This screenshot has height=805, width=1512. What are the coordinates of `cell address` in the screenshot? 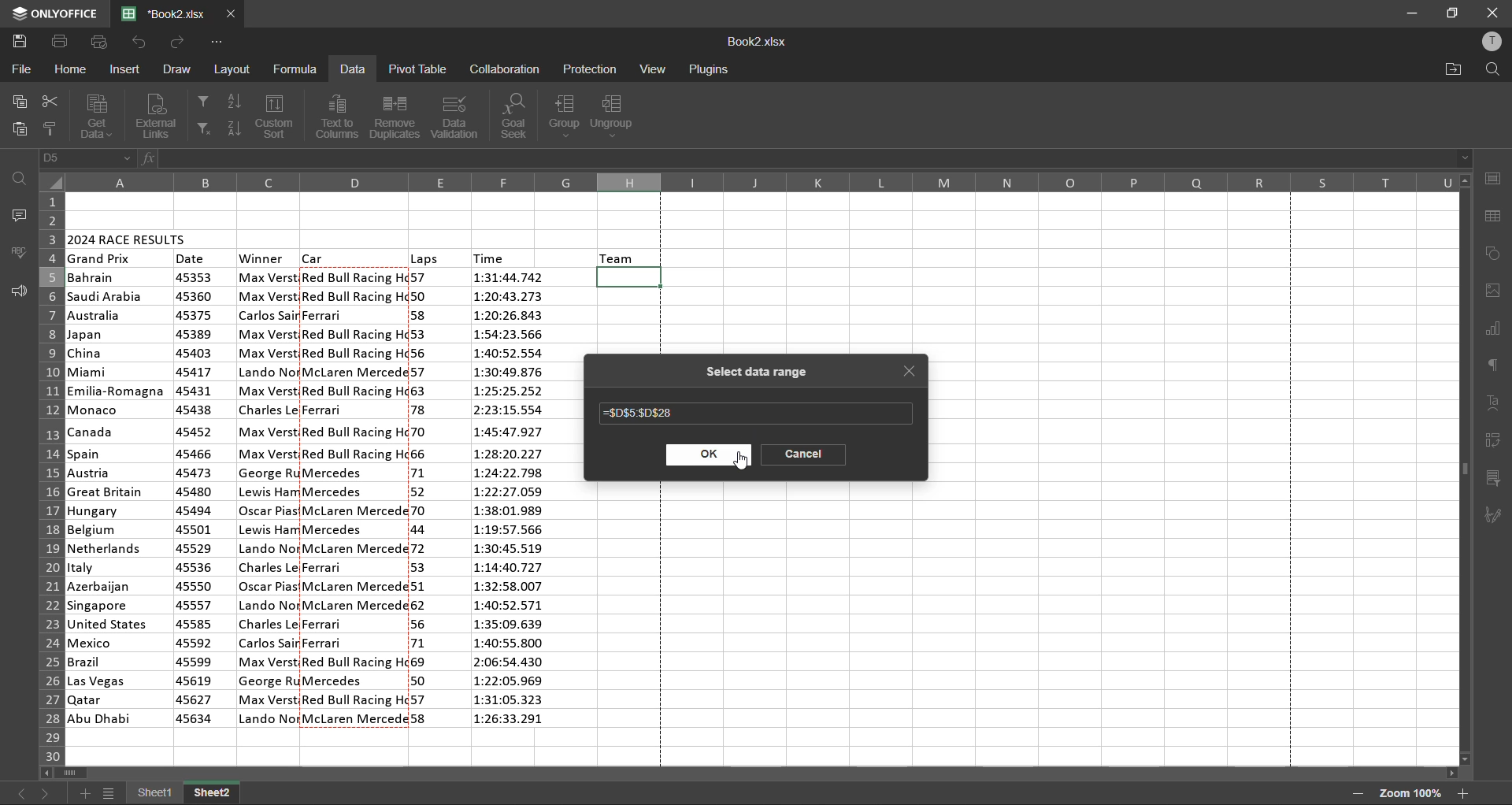 It's located at (87, 158).